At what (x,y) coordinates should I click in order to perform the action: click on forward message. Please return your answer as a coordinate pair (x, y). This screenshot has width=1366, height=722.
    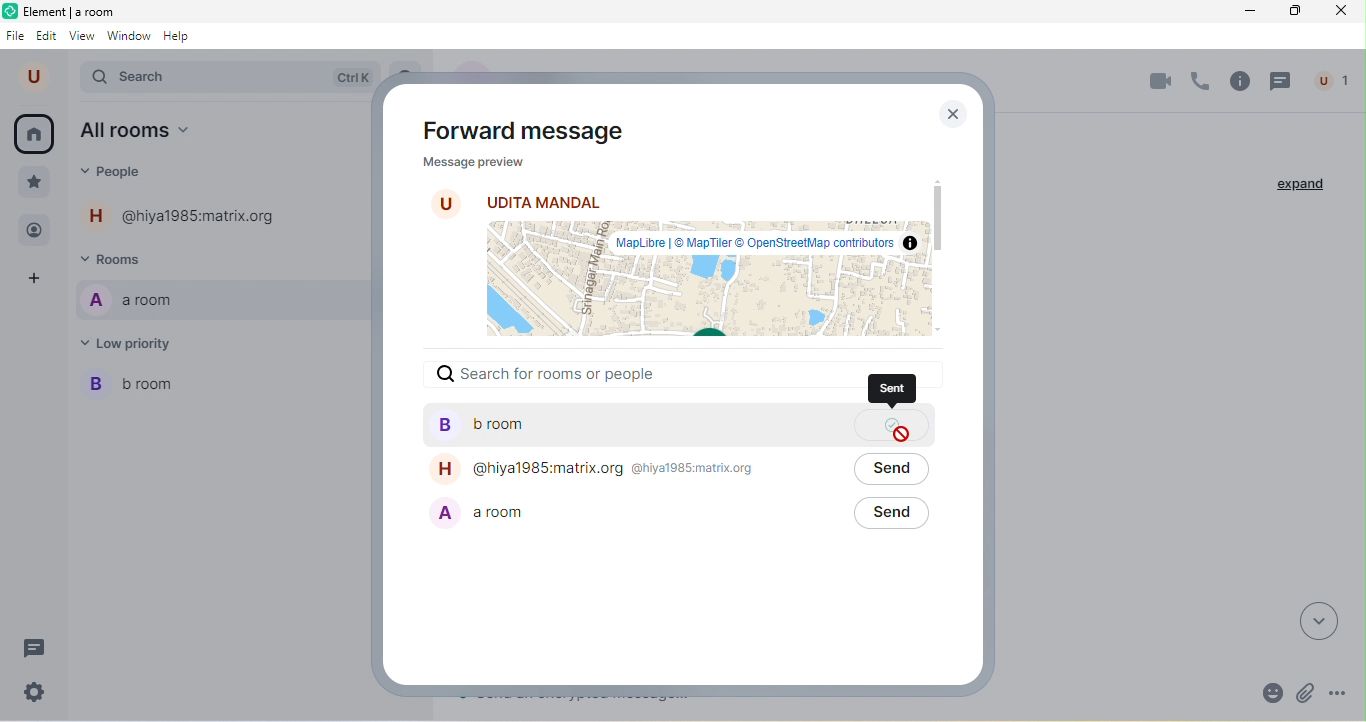
    Looking at the image, I should click on (535, 130).